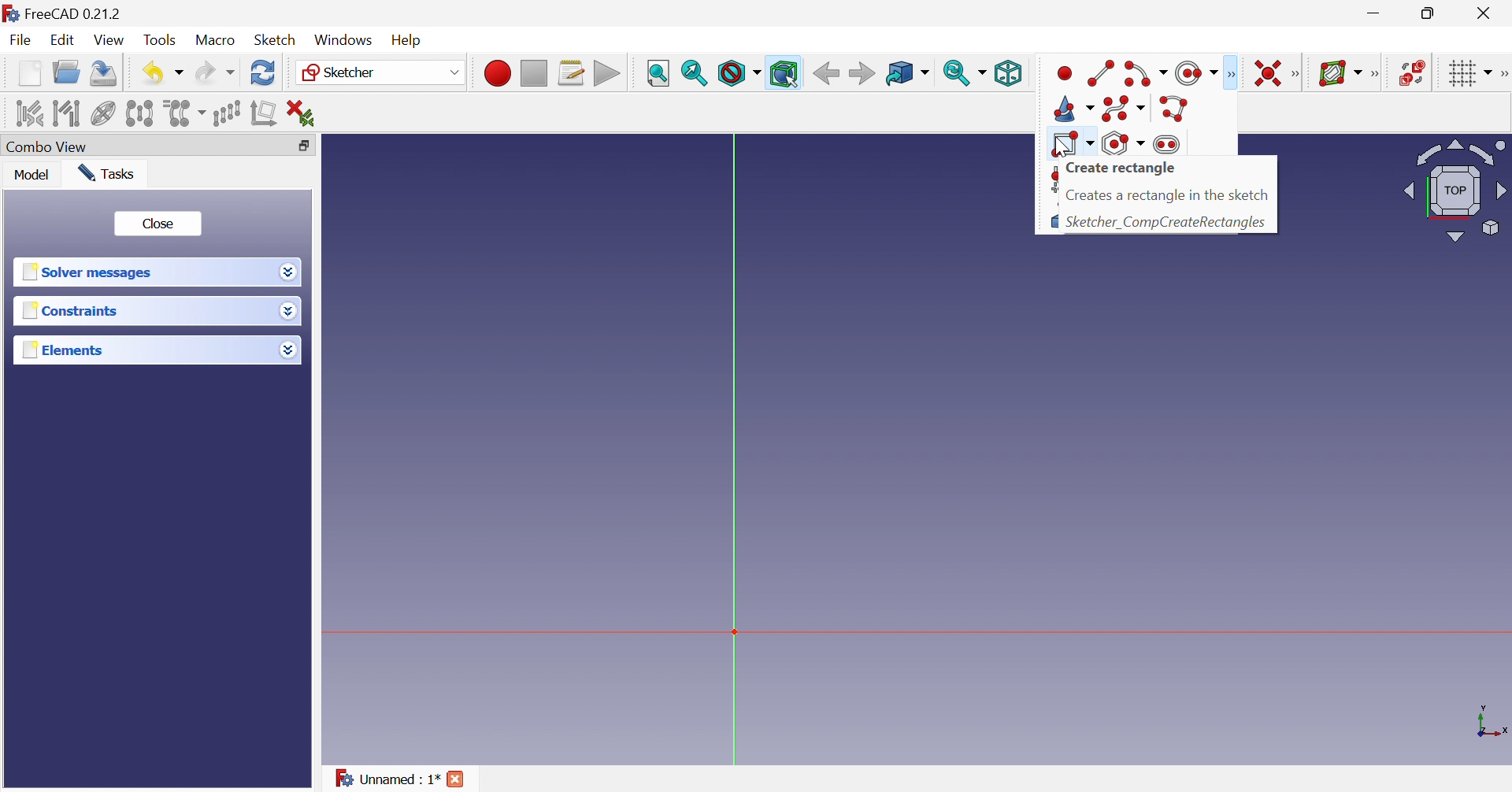  I want to click on Constraints, so click(70, 310).